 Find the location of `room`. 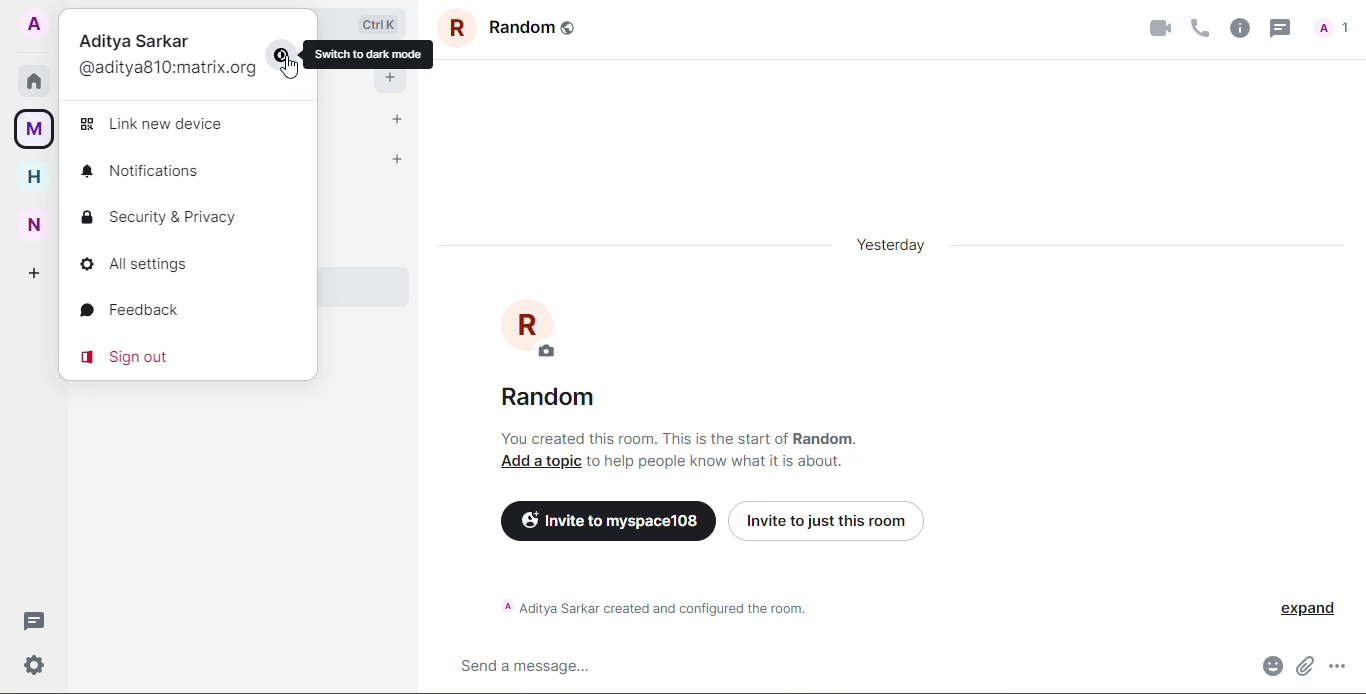

room is located at coordinates (513, 28).